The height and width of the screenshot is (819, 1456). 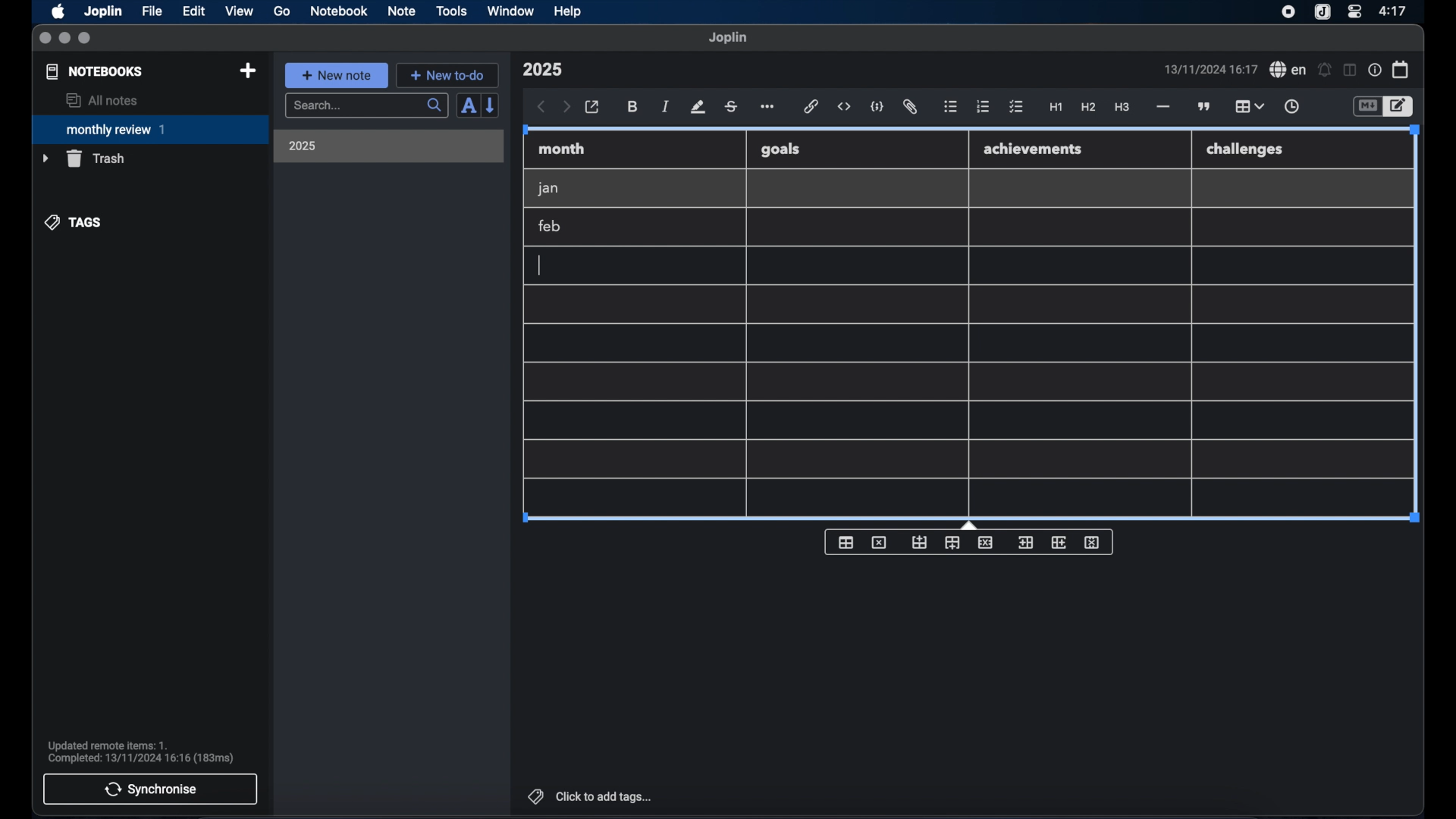 What do you see at coordinates (1354, 11) in the screenshot?
I see `control center` at bounding box center [1354, 11].